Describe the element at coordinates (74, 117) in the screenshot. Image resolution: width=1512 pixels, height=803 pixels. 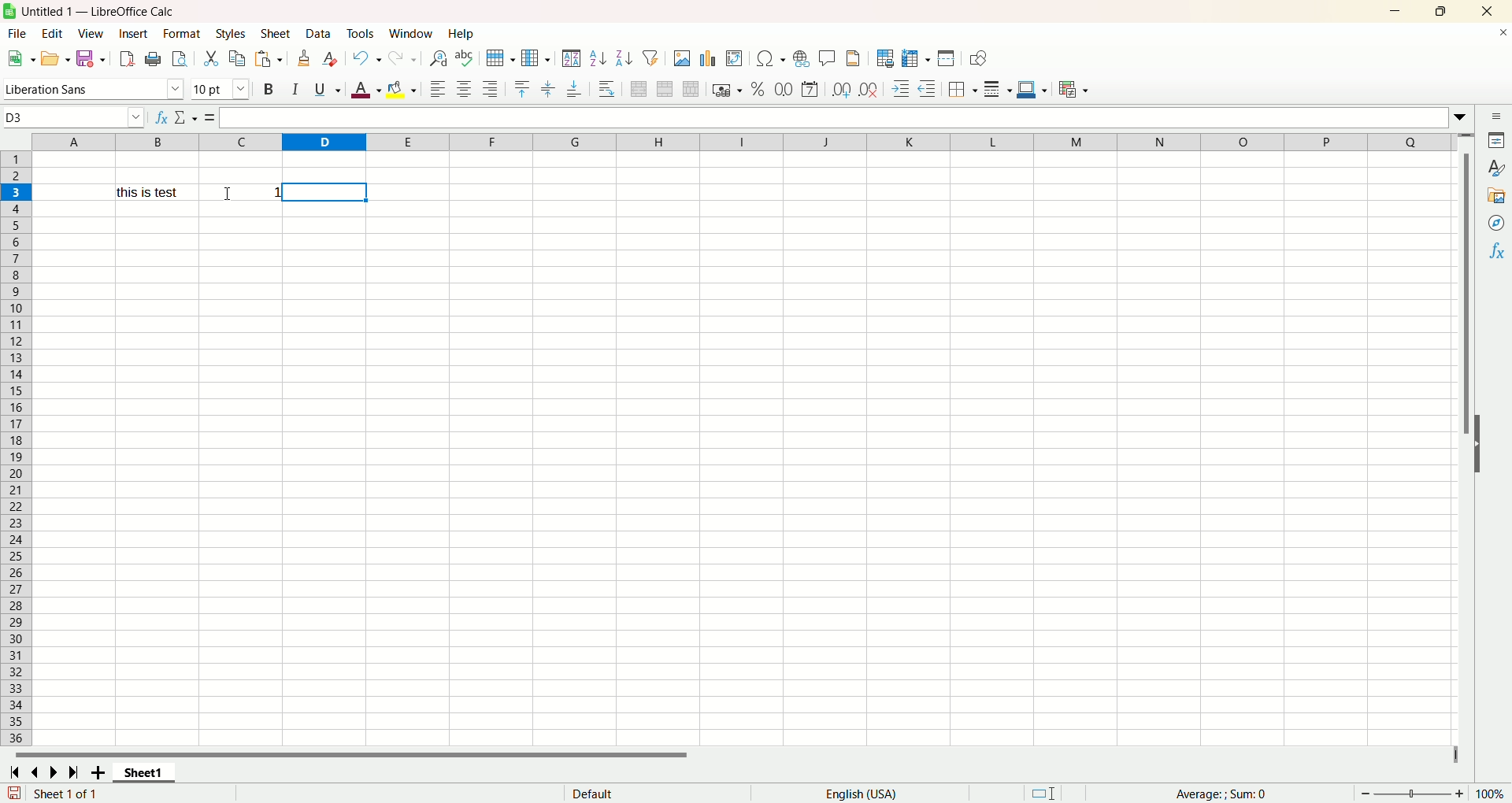
I see `name box` at that location.